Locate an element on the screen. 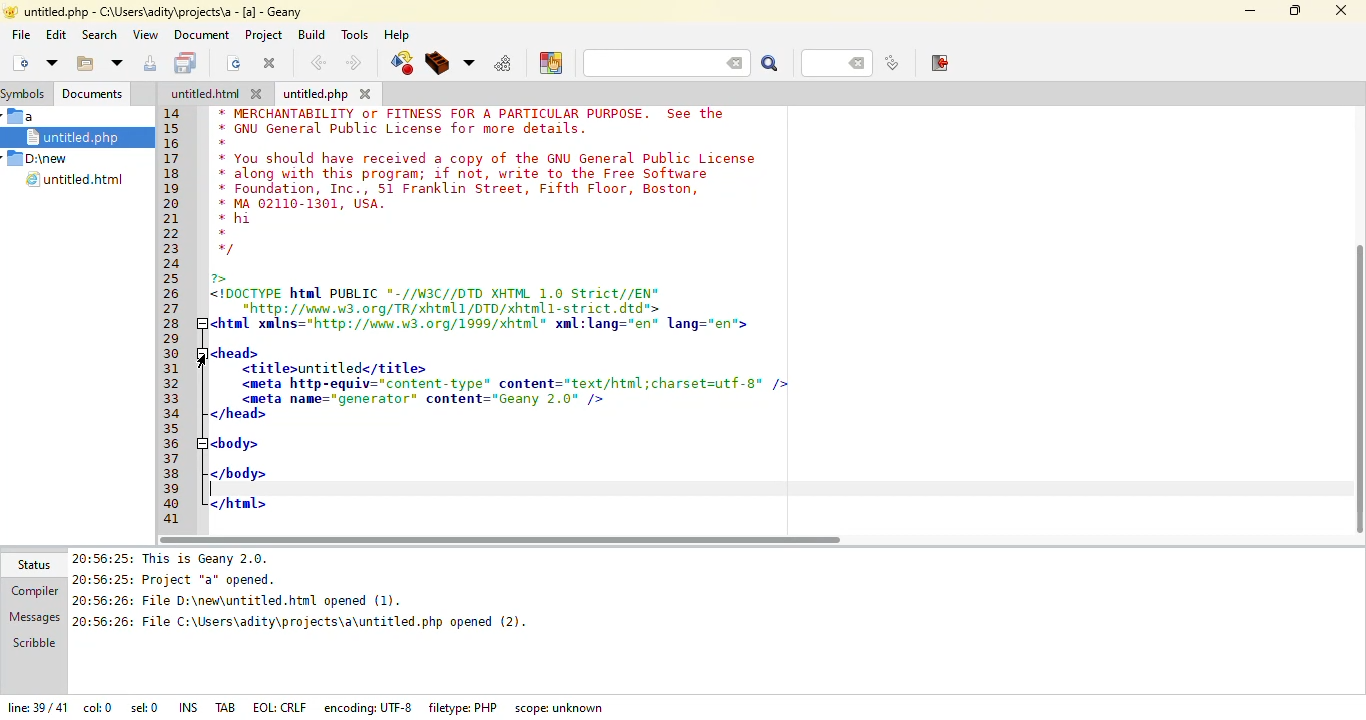  more is located at coordinates (118, 62).